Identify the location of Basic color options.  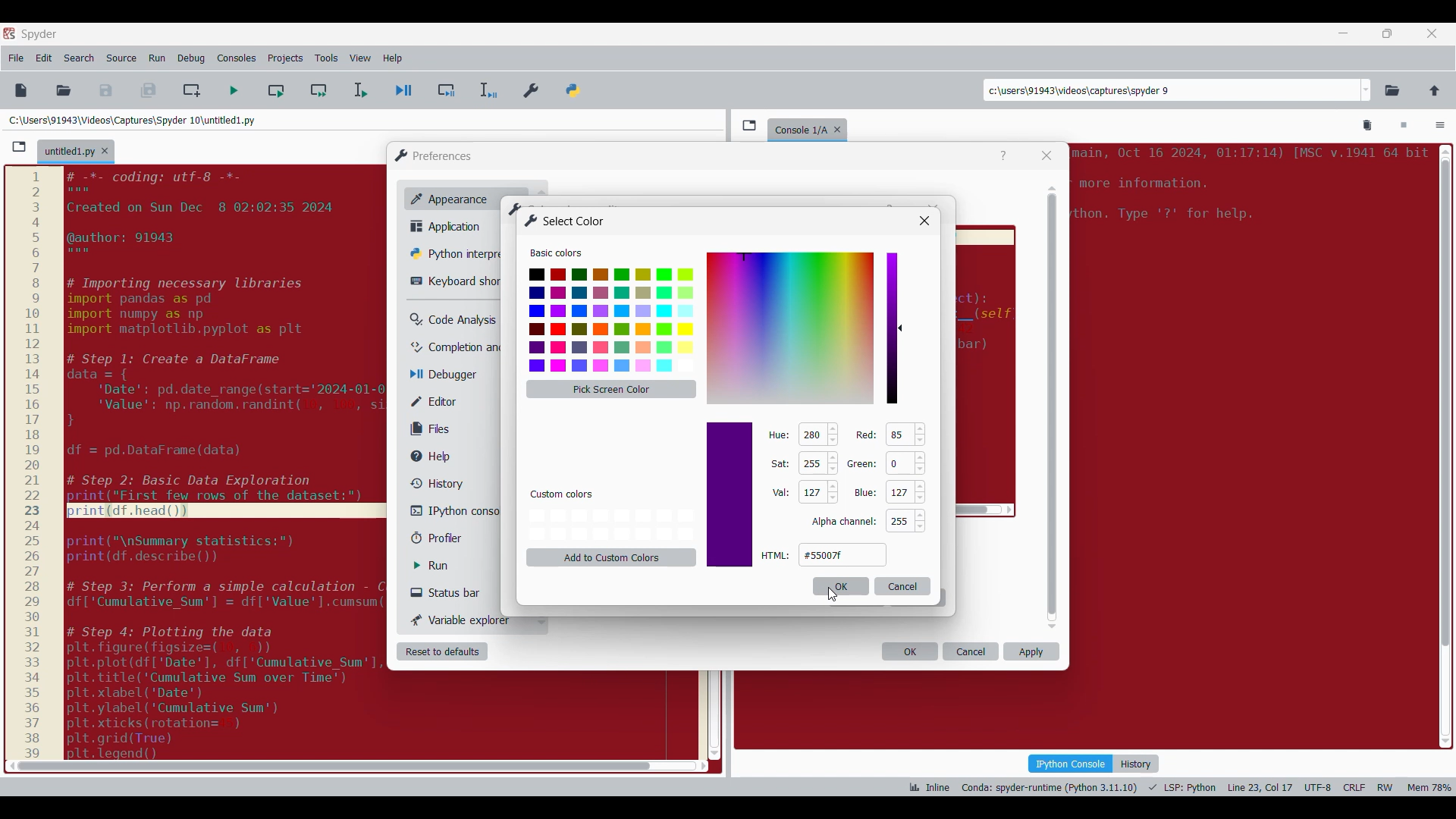
(611, 320).